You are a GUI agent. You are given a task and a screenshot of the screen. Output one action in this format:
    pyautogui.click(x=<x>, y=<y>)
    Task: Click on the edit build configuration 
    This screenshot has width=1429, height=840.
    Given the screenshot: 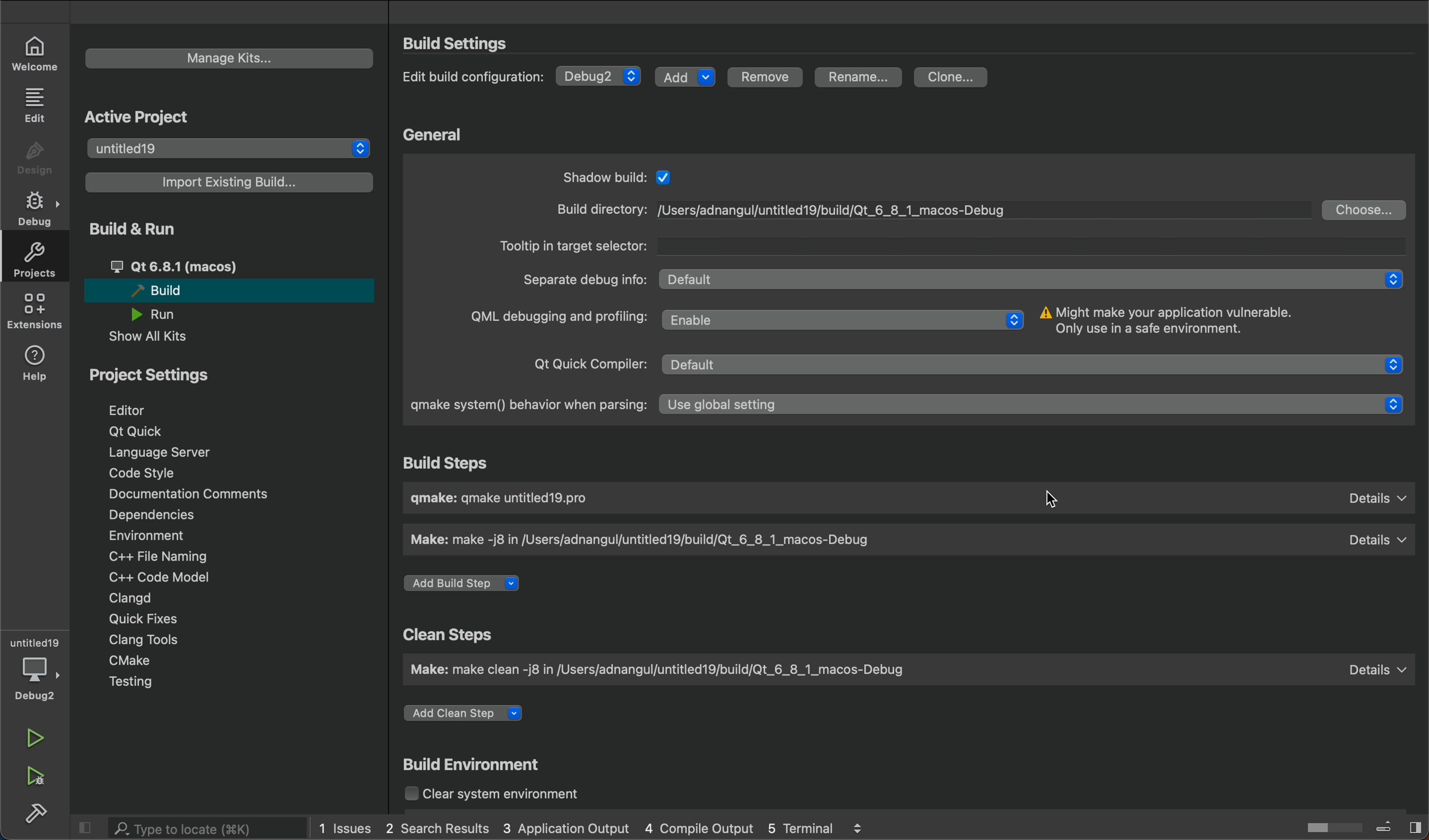 What is the action you would take?
    pyautogui.click(x=476, y=79)
    